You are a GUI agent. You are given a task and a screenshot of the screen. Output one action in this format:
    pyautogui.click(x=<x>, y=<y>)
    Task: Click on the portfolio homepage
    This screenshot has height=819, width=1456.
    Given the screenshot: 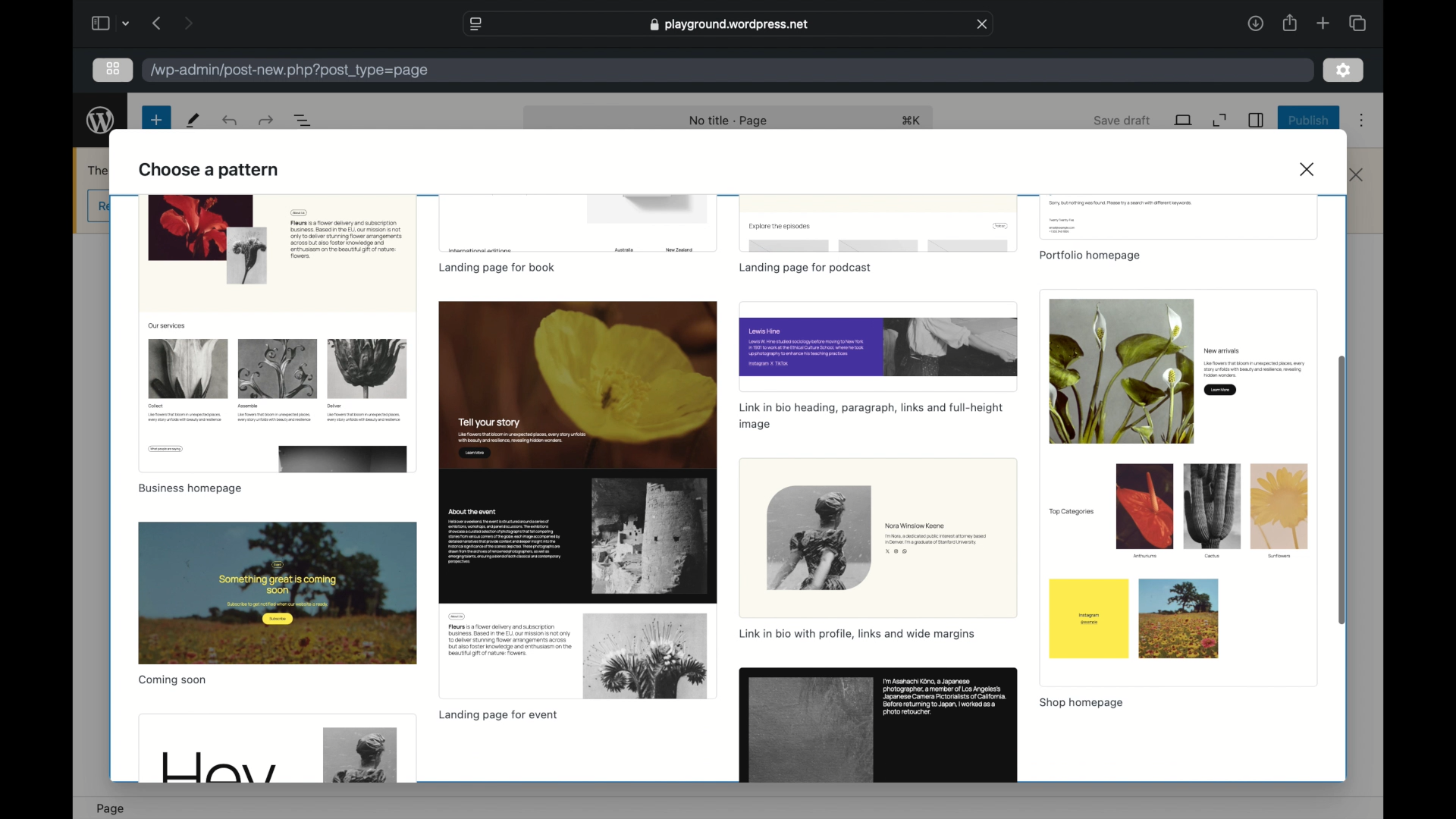 What is the action you would take?
    pyautogui.click(x=1089, y=256)
    